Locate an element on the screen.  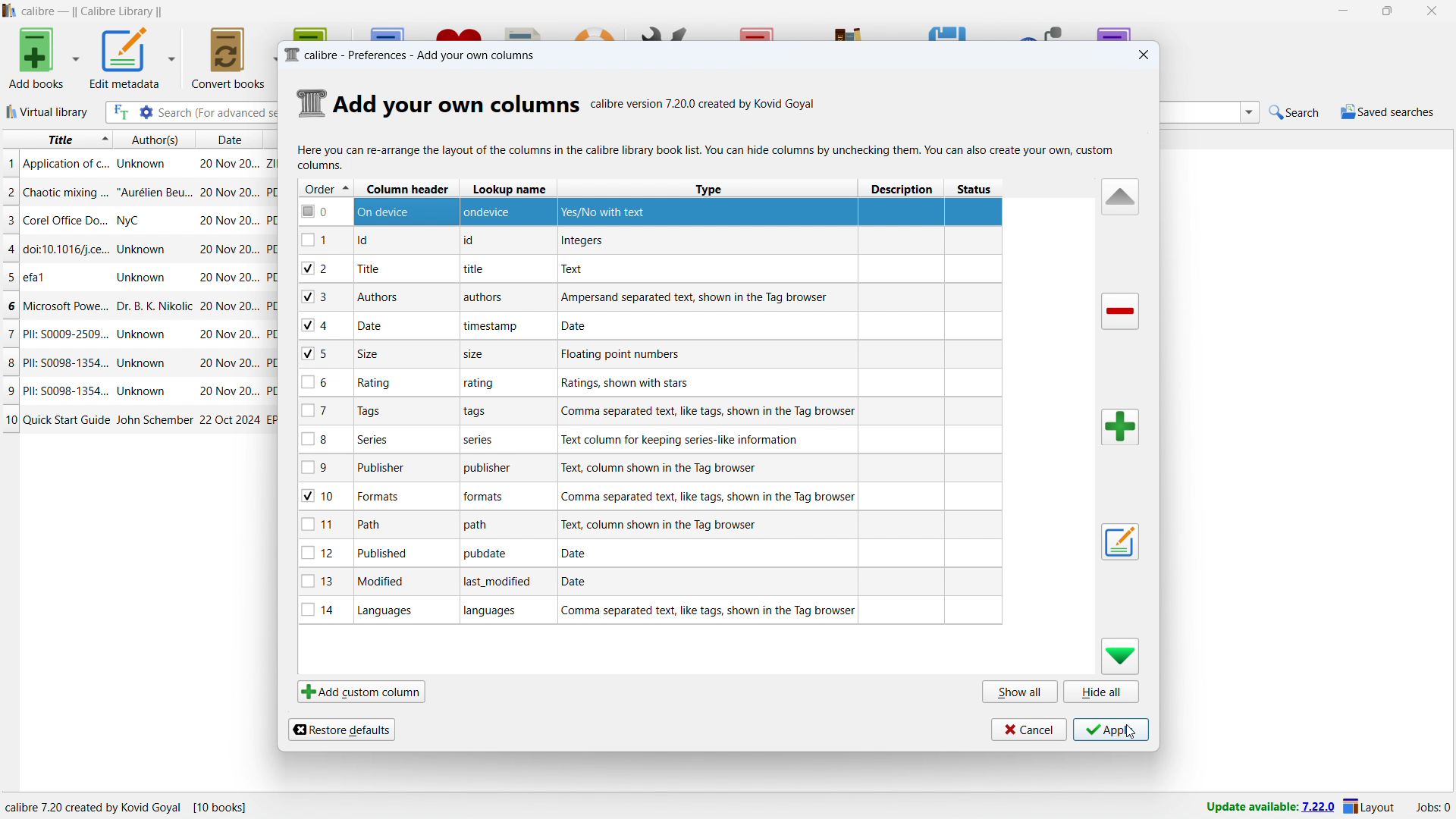
formats. is located at coordinates (486, 499).